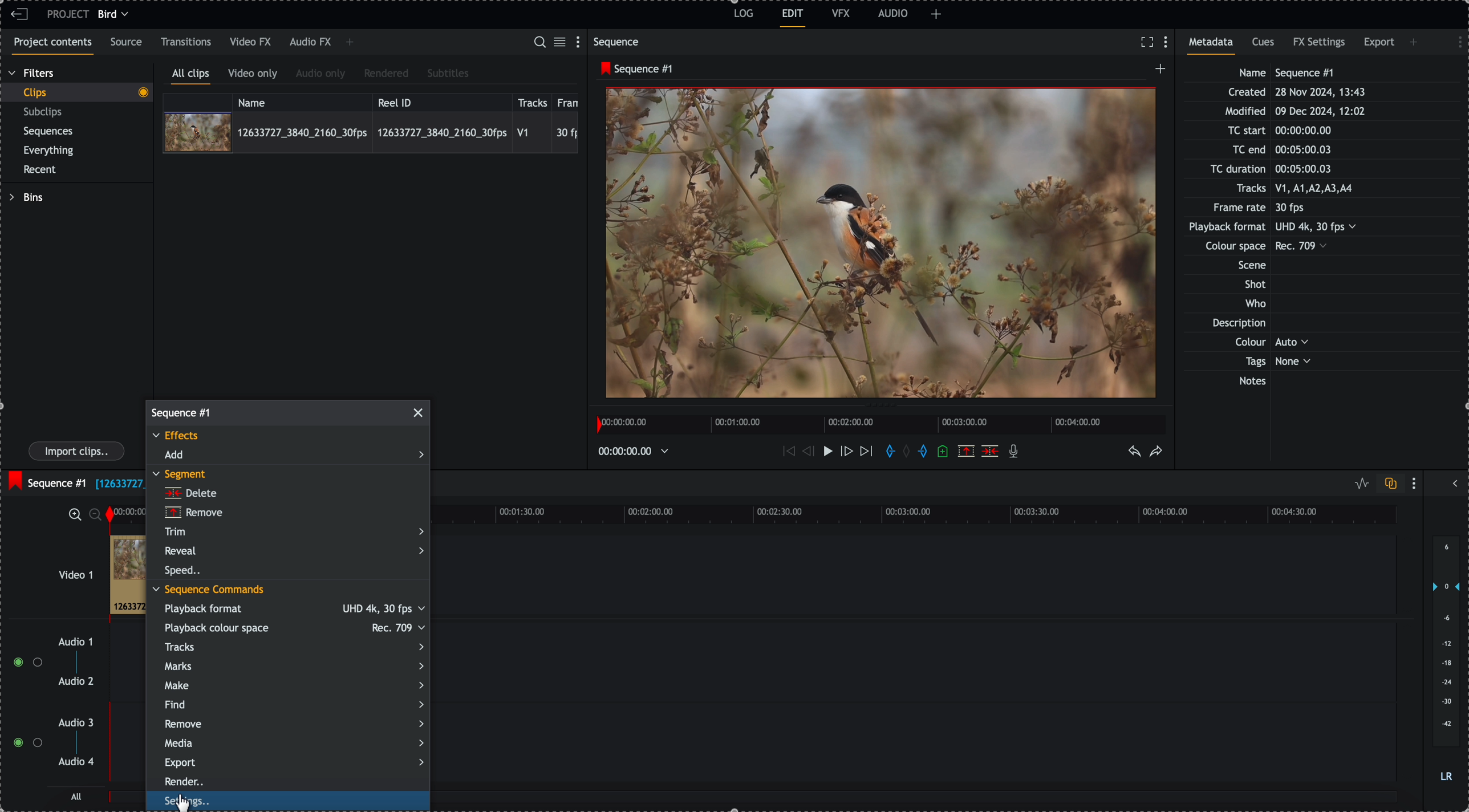  Describe the element at coordinates (350, 43) in the screenshot. I see `add panel` at that location.